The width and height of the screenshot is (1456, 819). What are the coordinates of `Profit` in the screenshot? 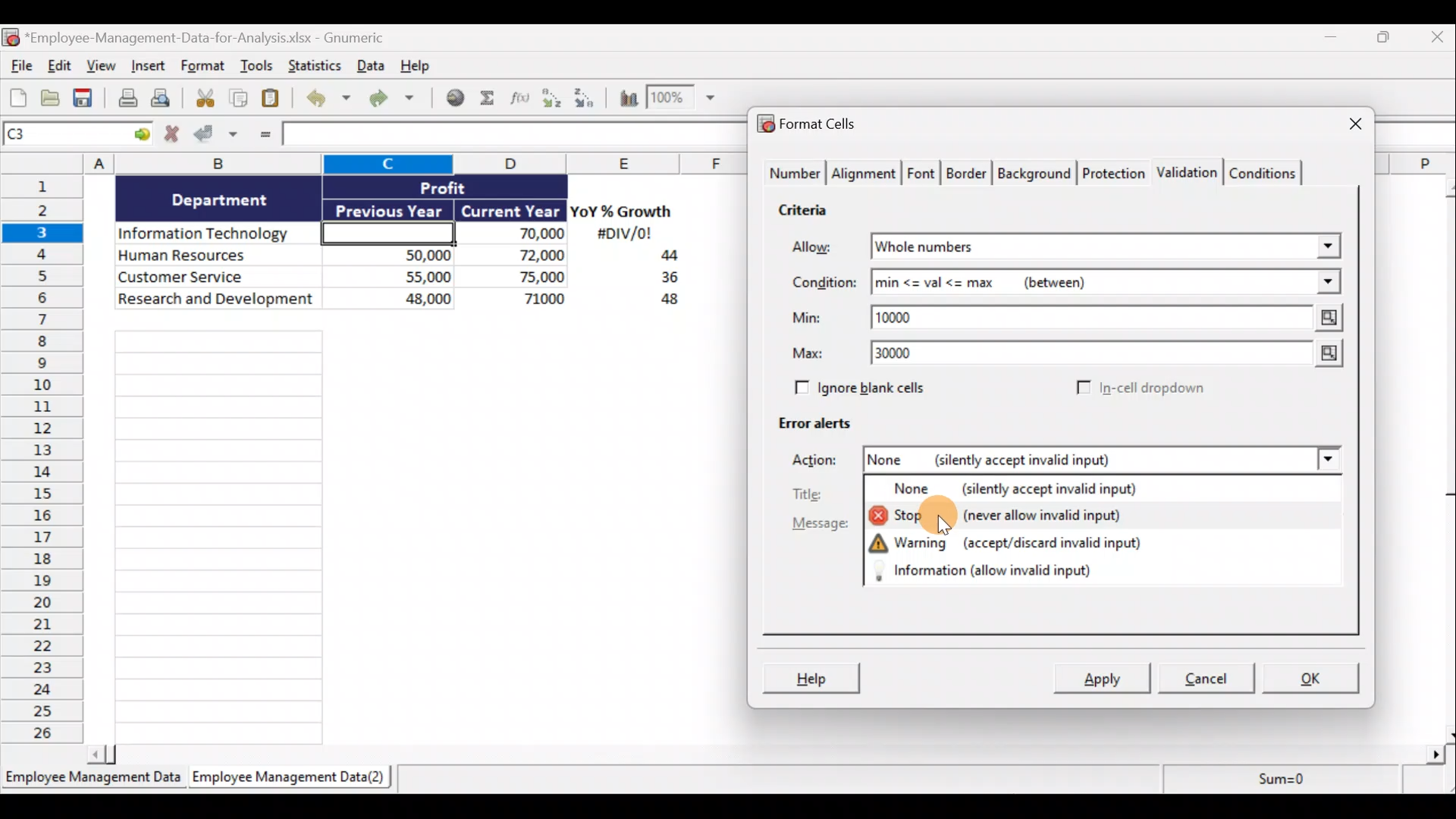 It's located at (468, 187).